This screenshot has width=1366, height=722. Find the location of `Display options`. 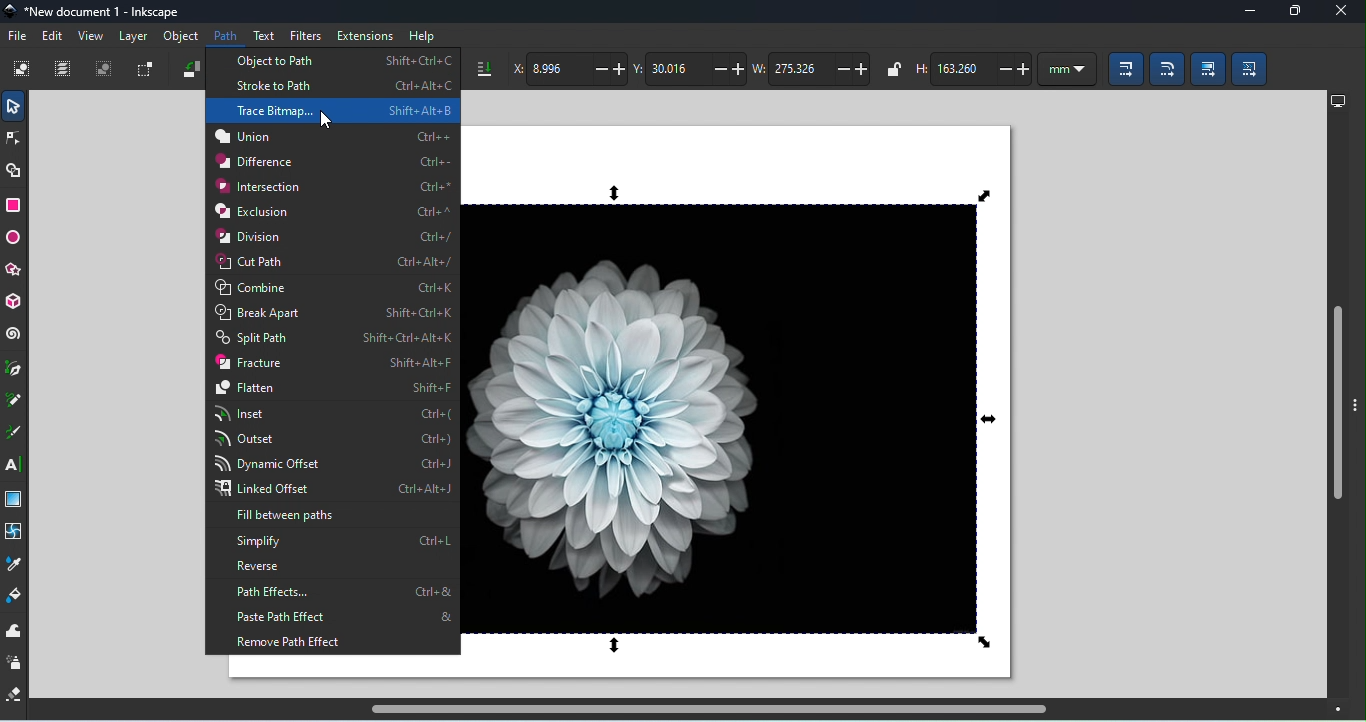

Display options is located at coordinates (1338, 101).